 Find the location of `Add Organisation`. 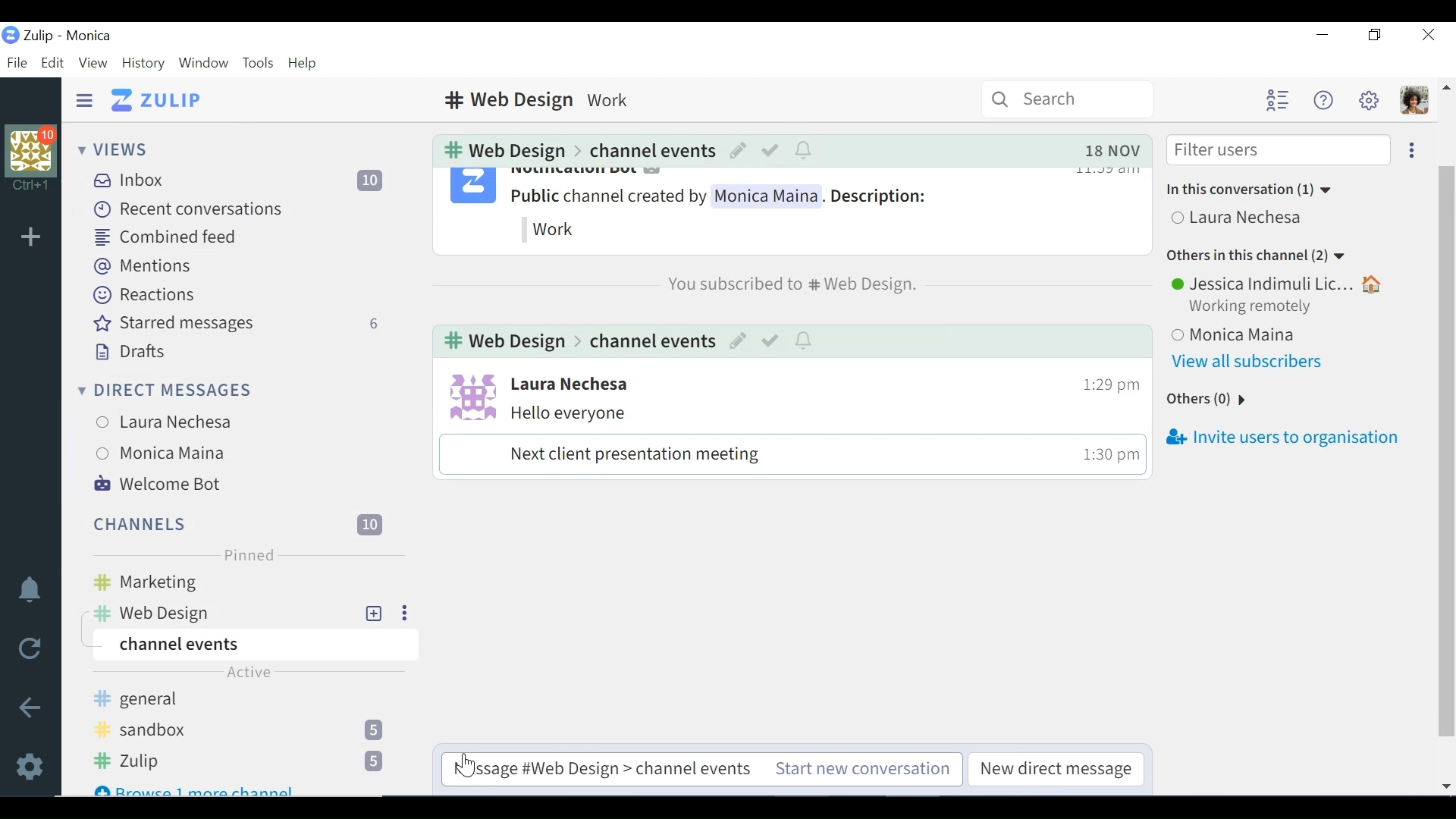

Add Organisation is located at coordinates (31, 236).